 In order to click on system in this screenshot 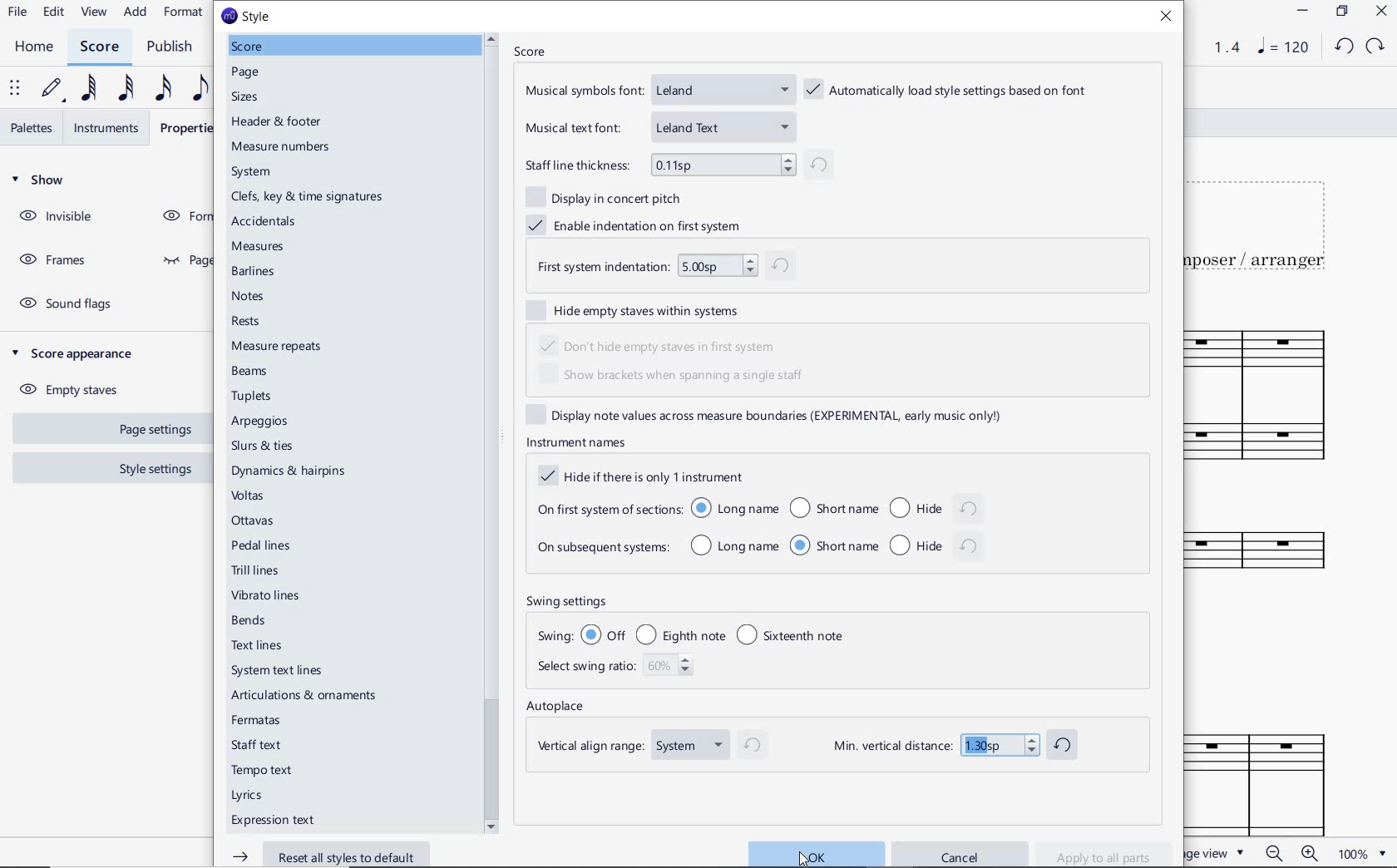, I will do `click(256, 170)`.